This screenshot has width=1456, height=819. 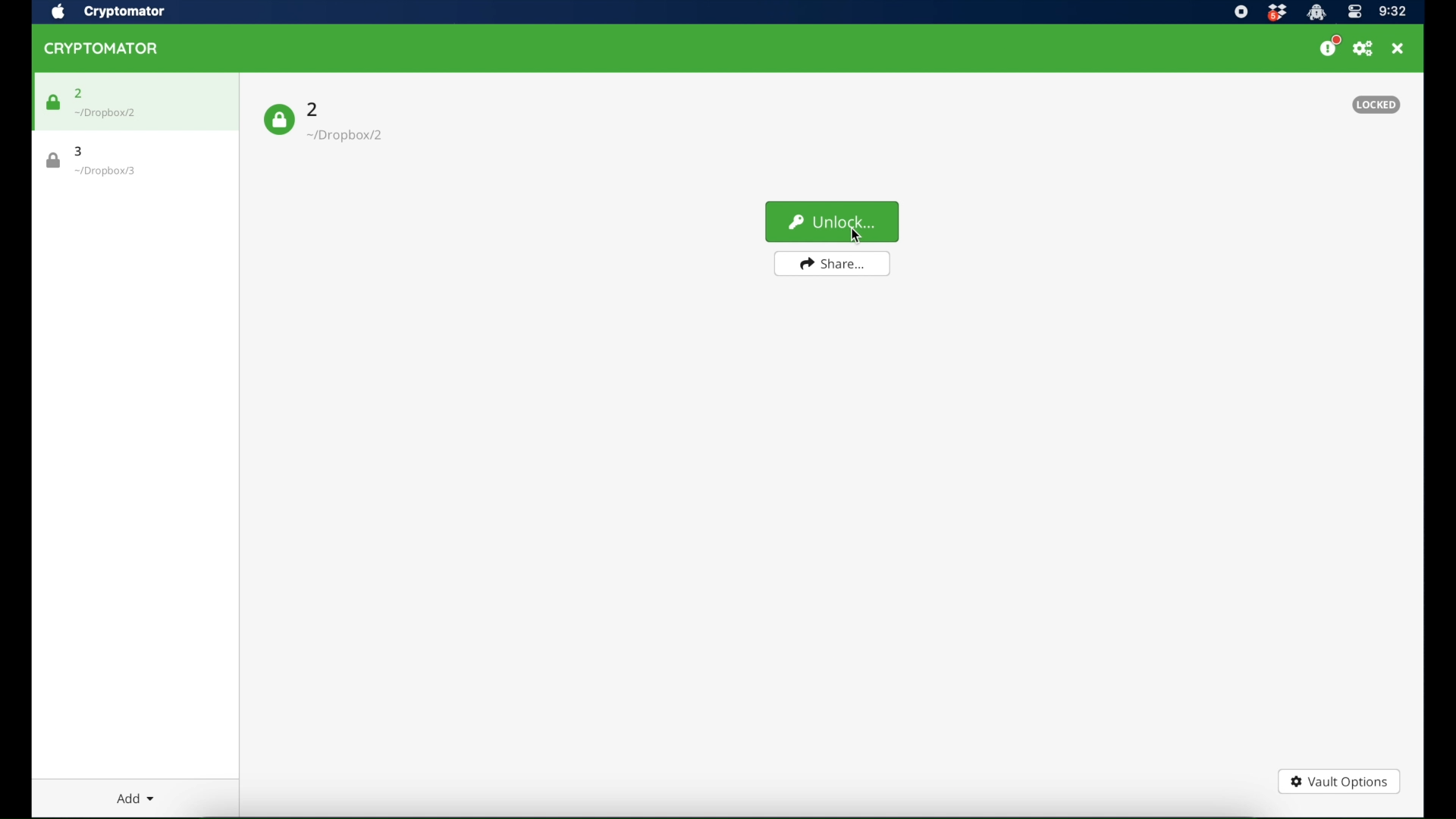 I want to click on 2, so click(x=80, y=93).